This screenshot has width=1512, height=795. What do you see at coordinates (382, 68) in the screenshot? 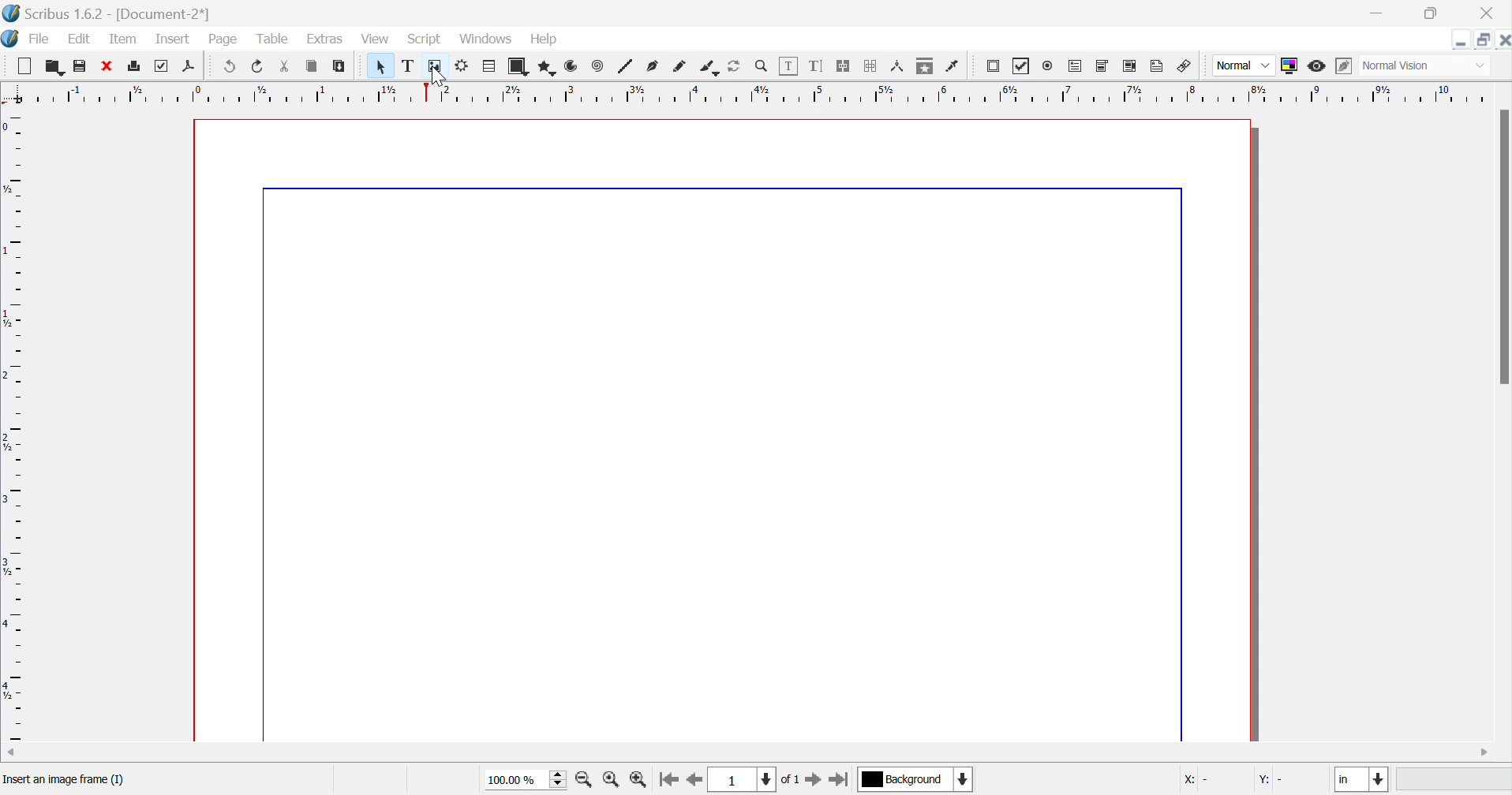
I see `select item` at bounding box center [382, 68].